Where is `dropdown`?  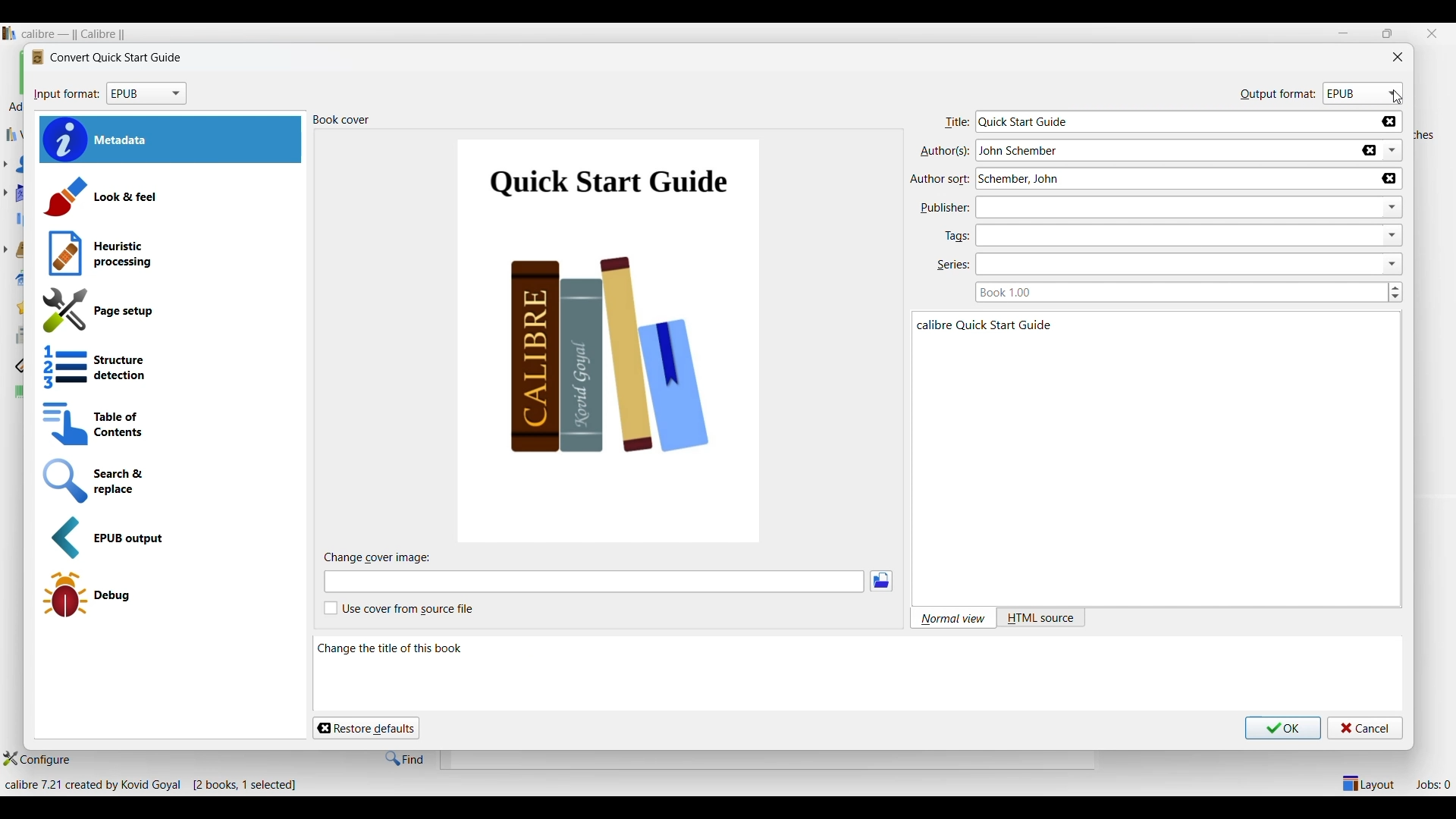 dropdown is located at coordinates (1394, 264).